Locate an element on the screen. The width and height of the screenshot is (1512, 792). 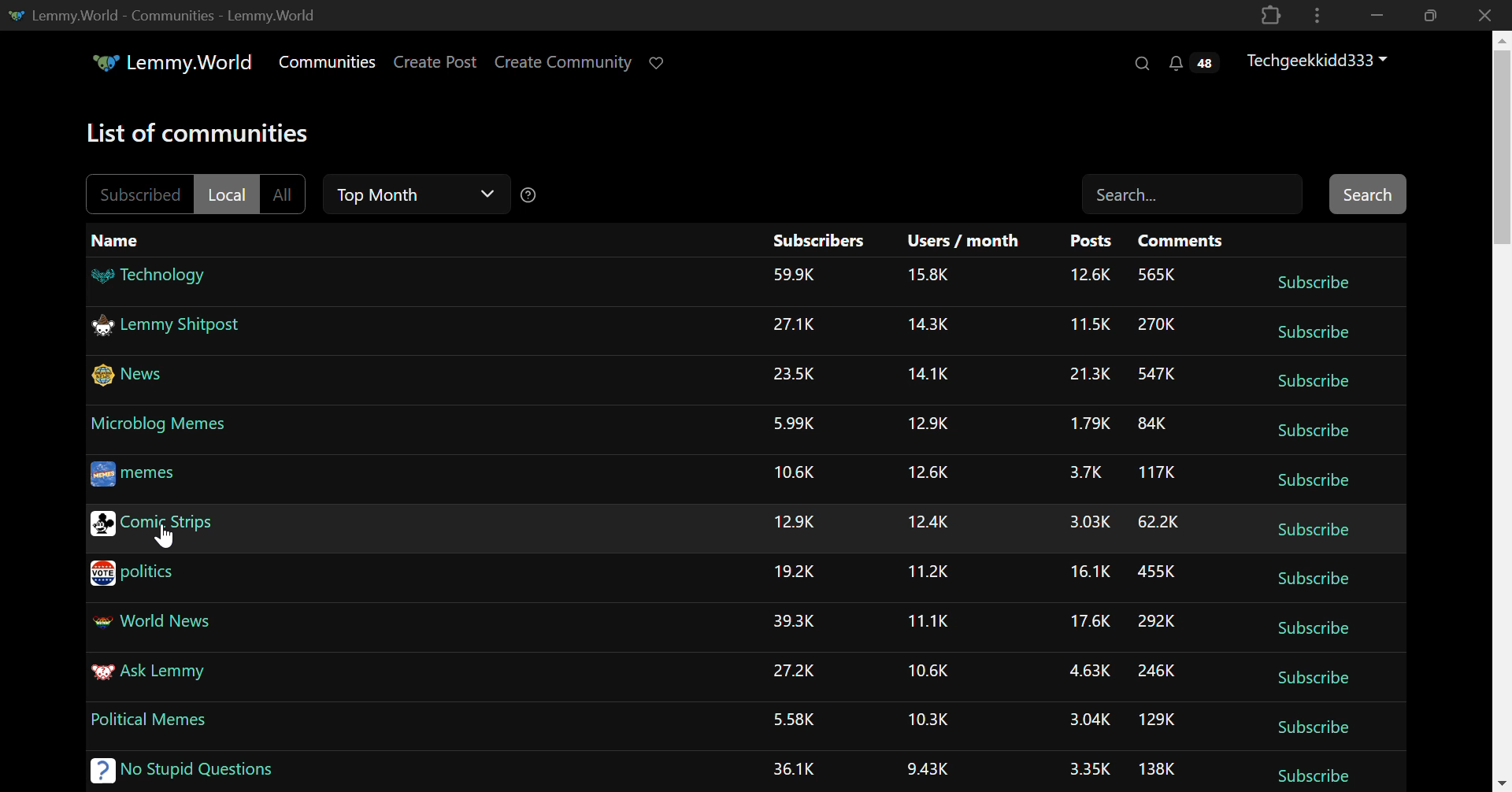
No Stupid Questions is located at coordinates (184, 771).